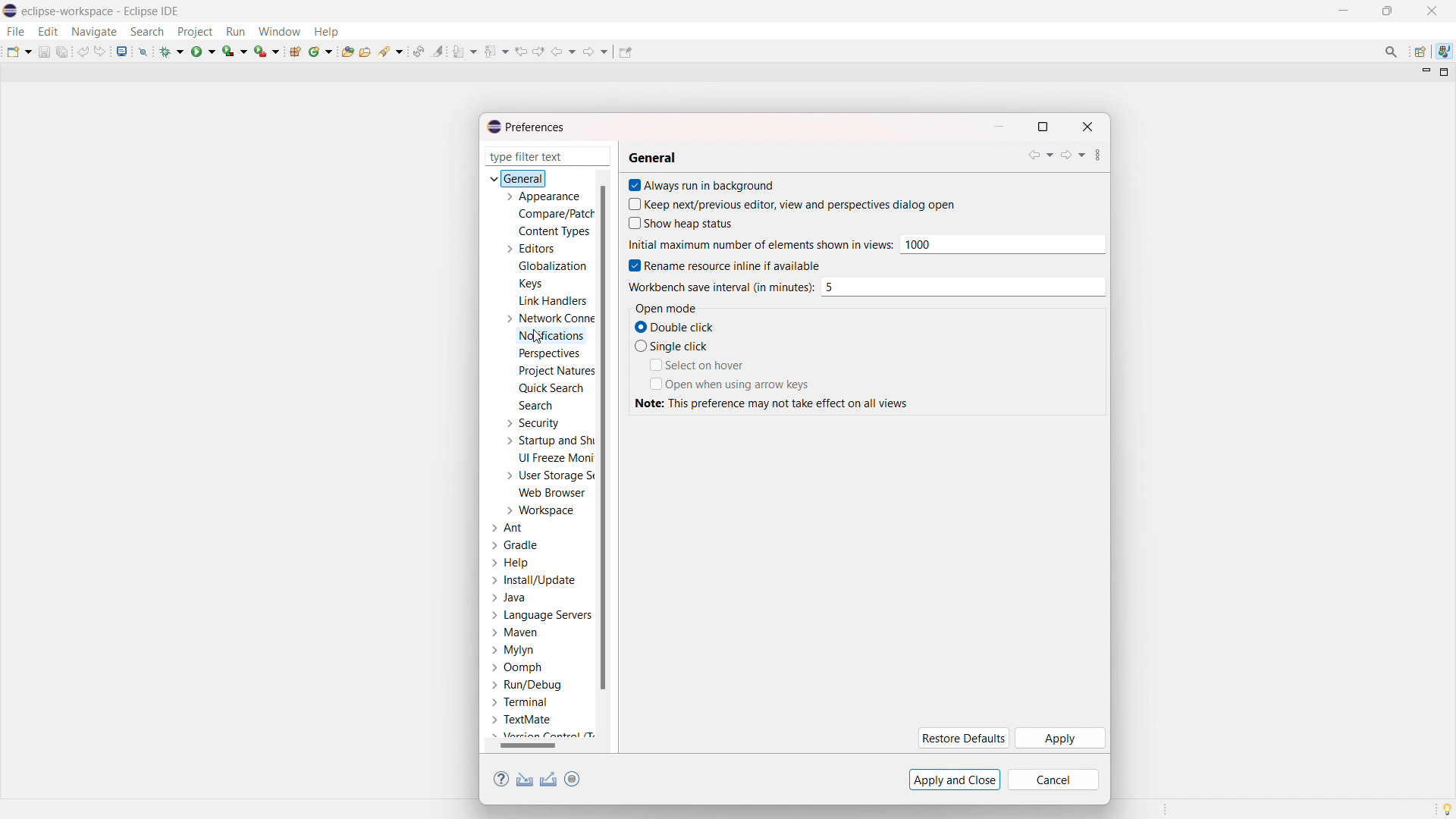  I want to click on coverage, so click(235, 51).